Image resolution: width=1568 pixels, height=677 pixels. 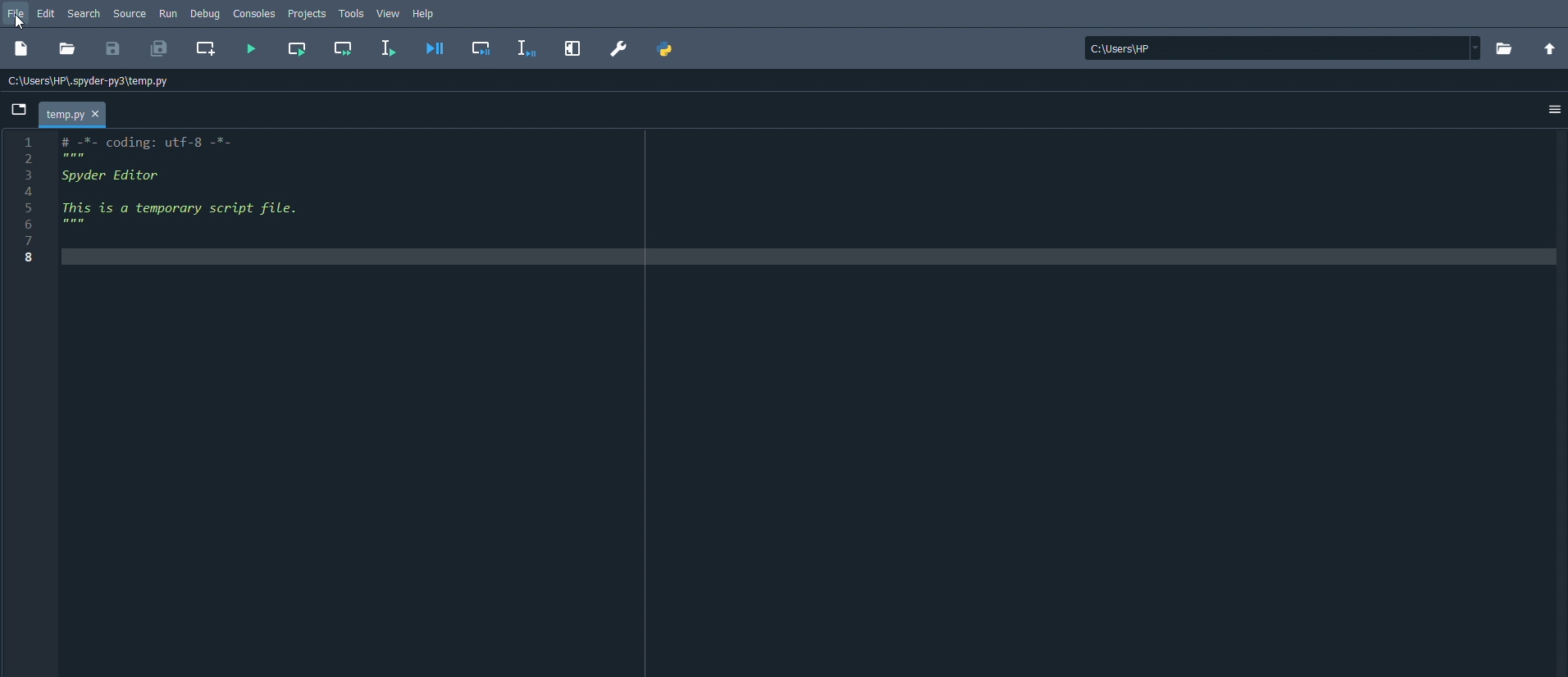 What do you see at coordinates (253, 12) in the screenshot?
I see `Consoles` at bounding box center [253, 12].